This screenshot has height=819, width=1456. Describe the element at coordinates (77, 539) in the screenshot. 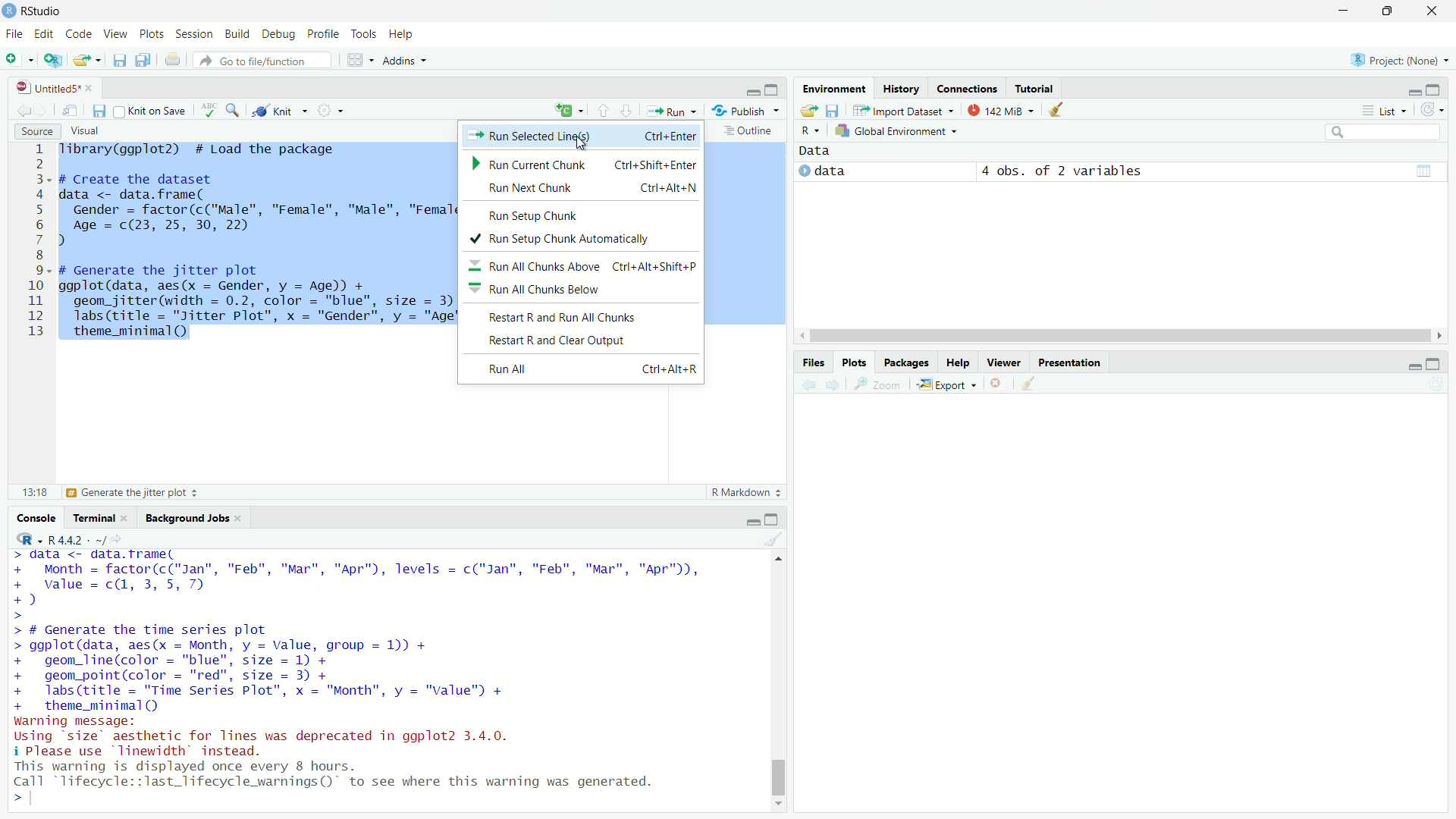

I see `R 4.4.2 . ~/` at that location.